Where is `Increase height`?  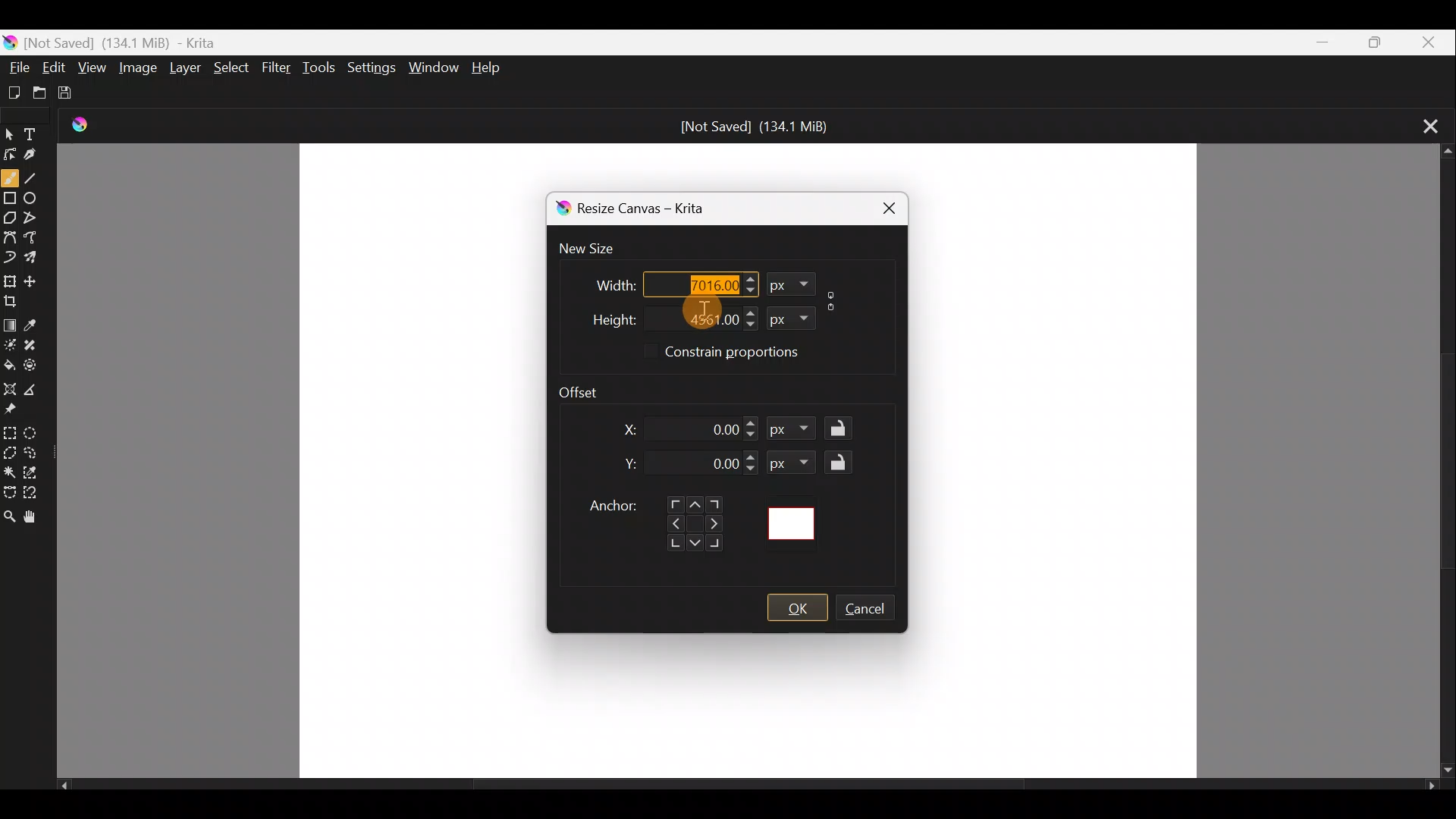 Increase height is located at coordinates (748, 312).